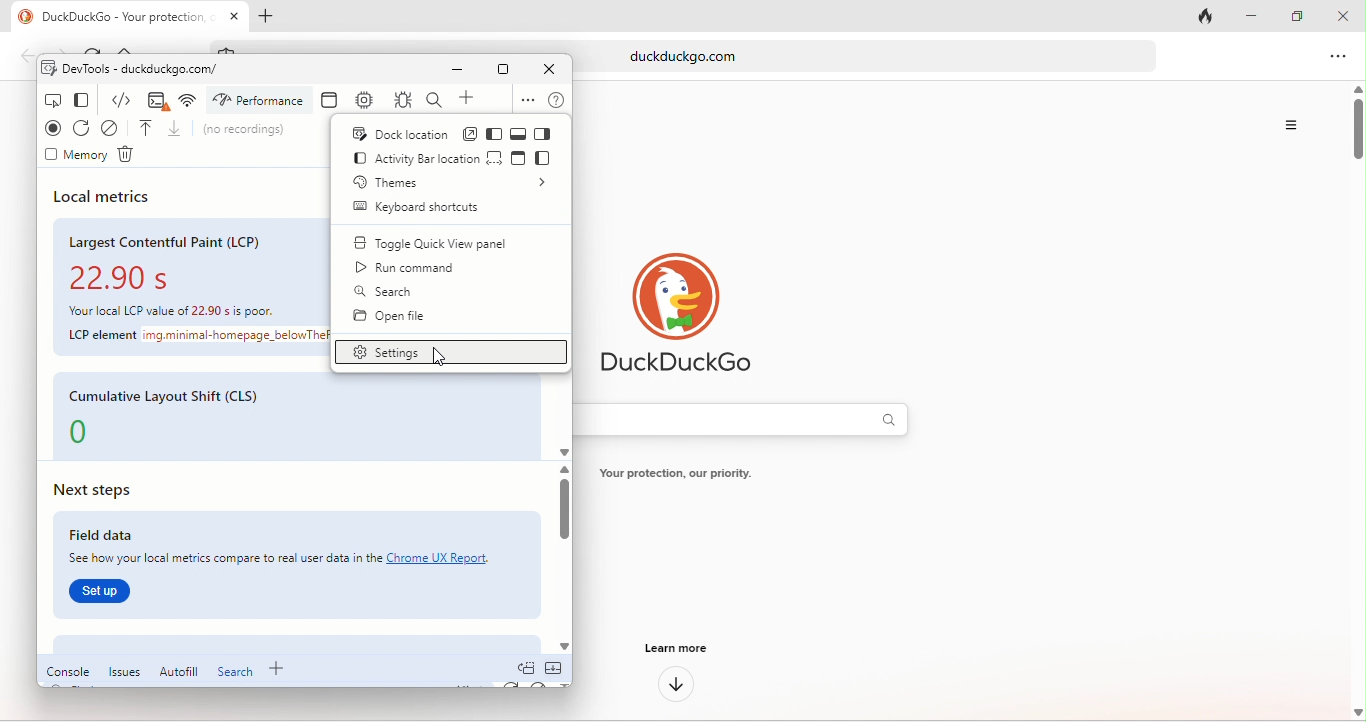 The width and height of the screenshot is (1366, 722). Describe the element at coordinates (127, 152) in the screenshot. I see `delete` at that location.